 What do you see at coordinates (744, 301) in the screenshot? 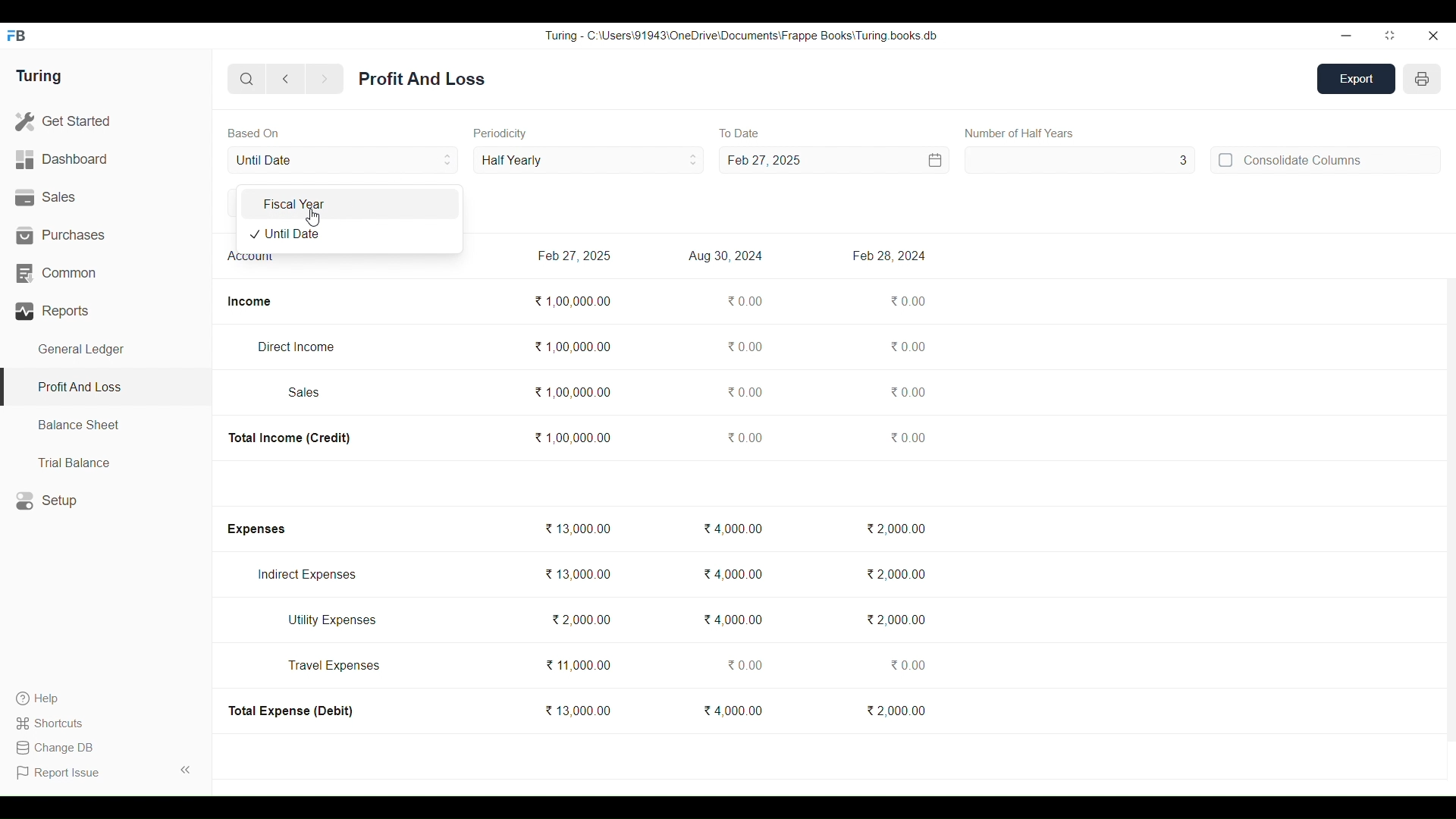
I see `0.00` at bounding box center [744, 301].